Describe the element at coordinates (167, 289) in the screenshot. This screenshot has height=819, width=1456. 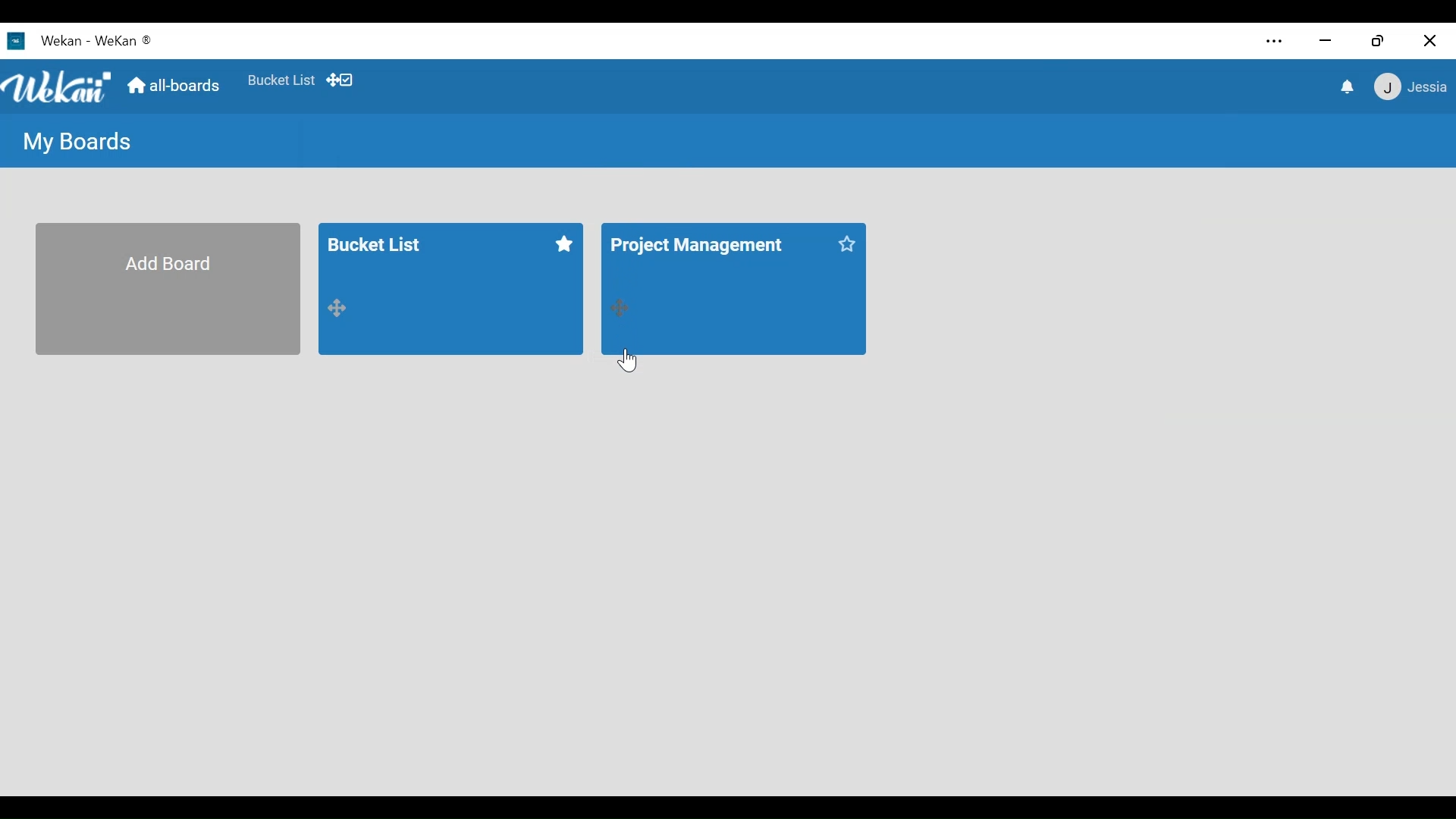
I see `Add Board` at that location.